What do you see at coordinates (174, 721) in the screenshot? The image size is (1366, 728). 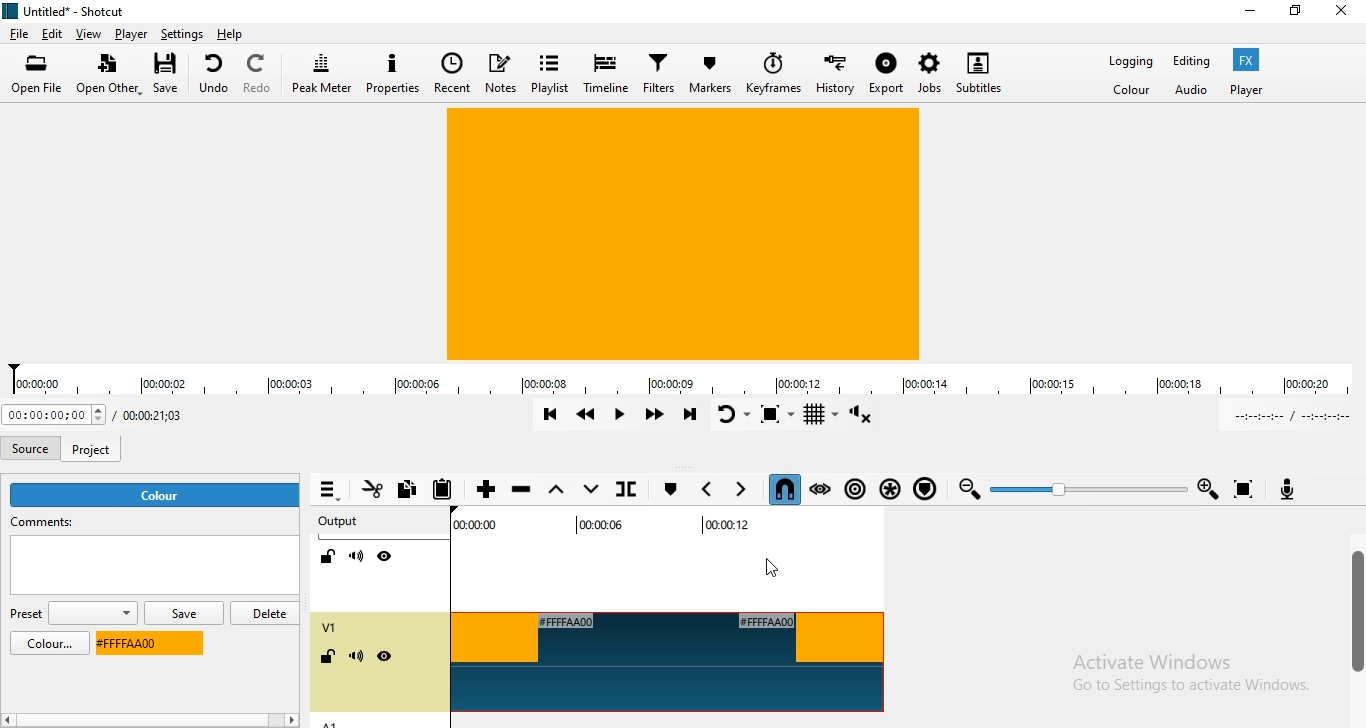 I see `scroll bar` at bounding box center [174, 721].